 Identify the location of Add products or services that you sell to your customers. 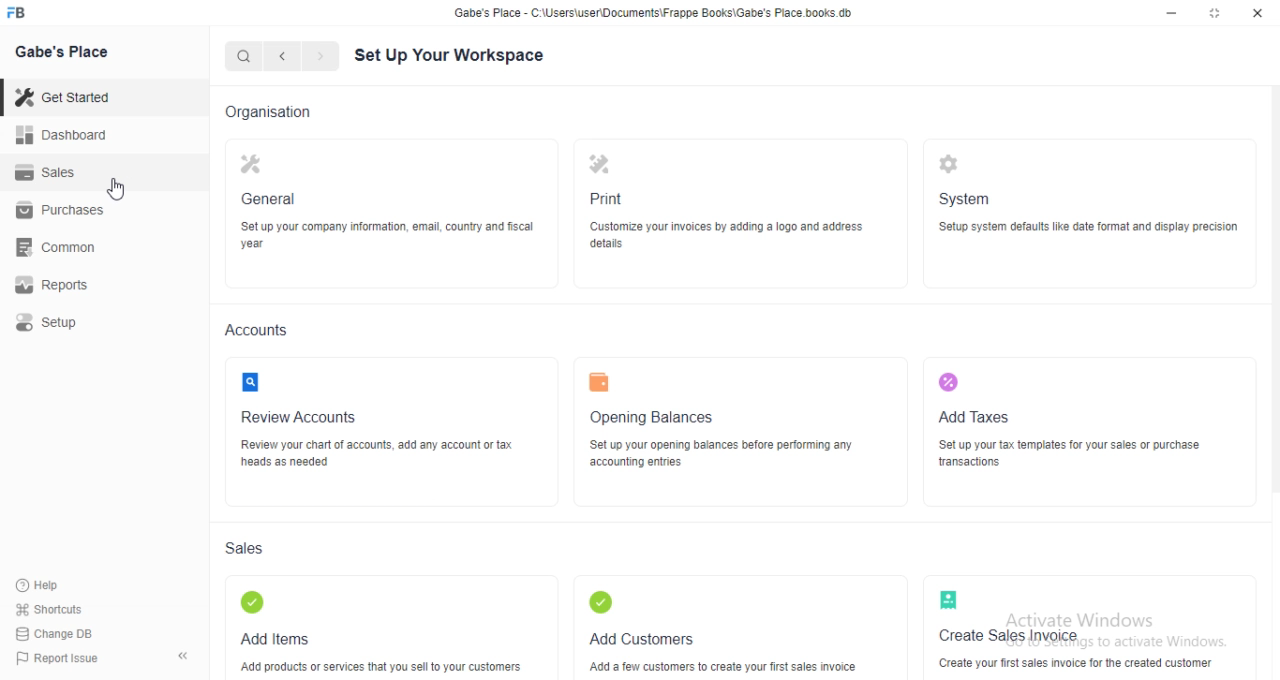
(381, 664).